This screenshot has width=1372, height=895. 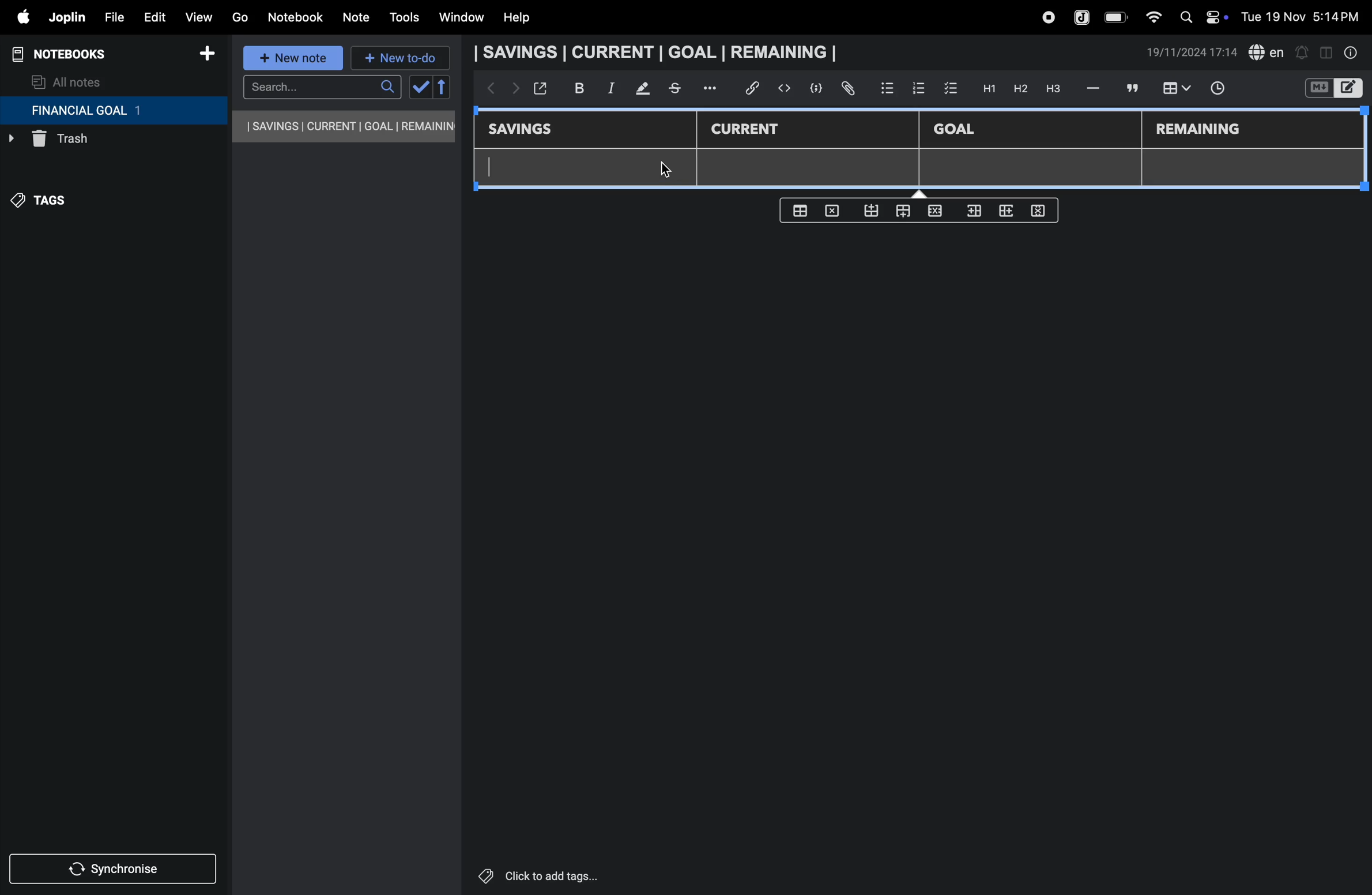 What do you see at coordinates (847, 89) in the screenshot?
I see `attach file` at bounding box center [847, 89].